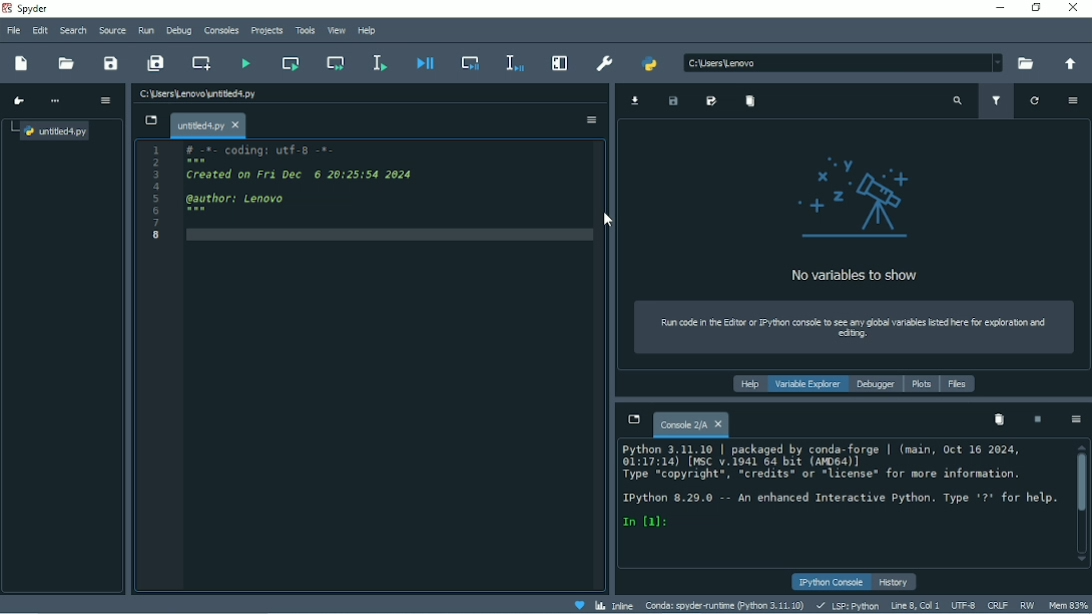  Describe the element at coordinates (112, 63) in the screenshot. I see `Save file` at that location.